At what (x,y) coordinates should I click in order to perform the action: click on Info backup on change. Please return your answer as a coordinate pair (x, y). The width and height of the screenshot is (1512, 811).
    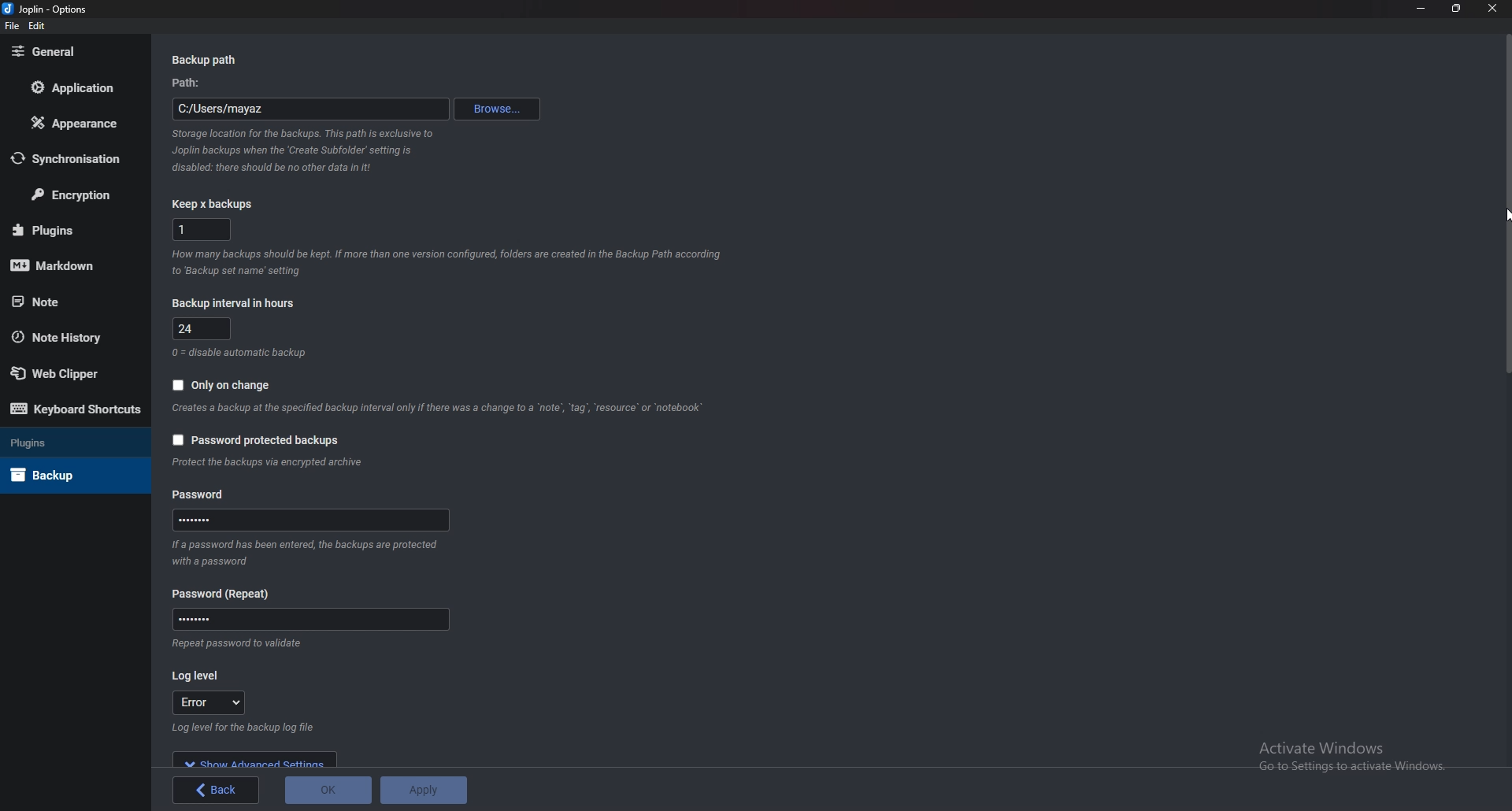
    Looking at the image, I should click on (439, 409).